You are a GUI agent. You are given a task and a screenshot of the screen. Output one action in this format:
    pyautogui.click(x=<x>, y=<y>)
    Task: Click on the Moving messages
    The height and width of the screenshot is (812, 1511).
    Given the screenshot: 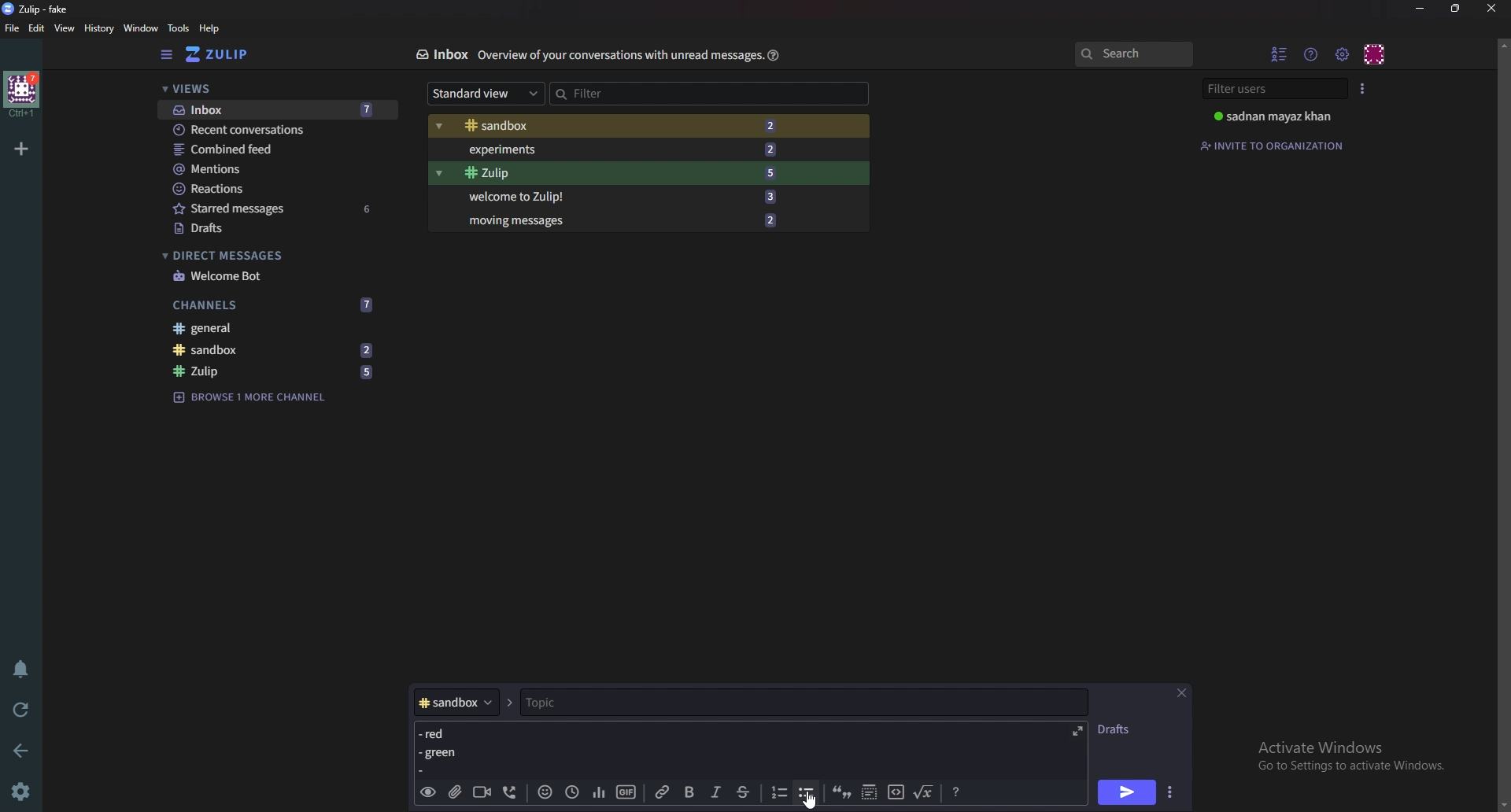 What is the action you would take?
    pyautogui.click(x=621, y=219)
    